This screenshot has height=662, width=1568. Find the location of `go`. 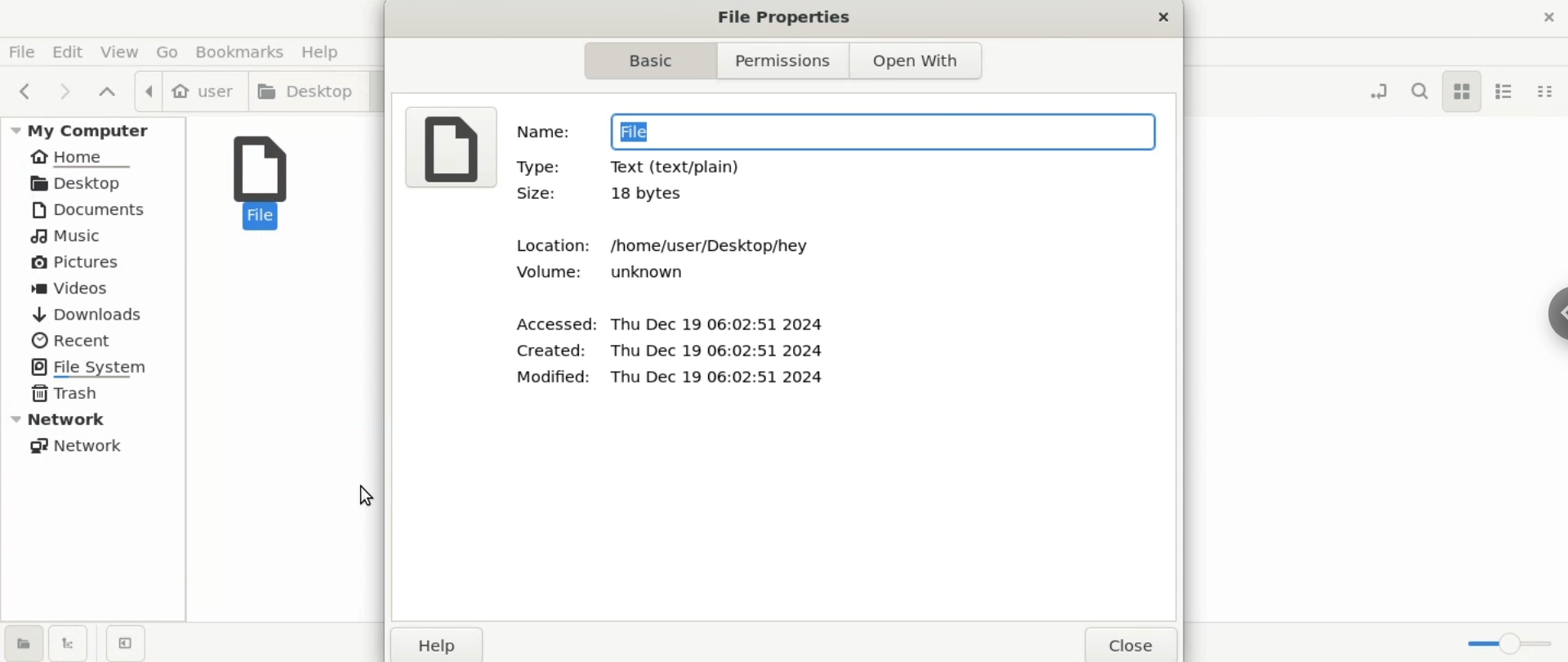

go is located at coordinates (172, 52).